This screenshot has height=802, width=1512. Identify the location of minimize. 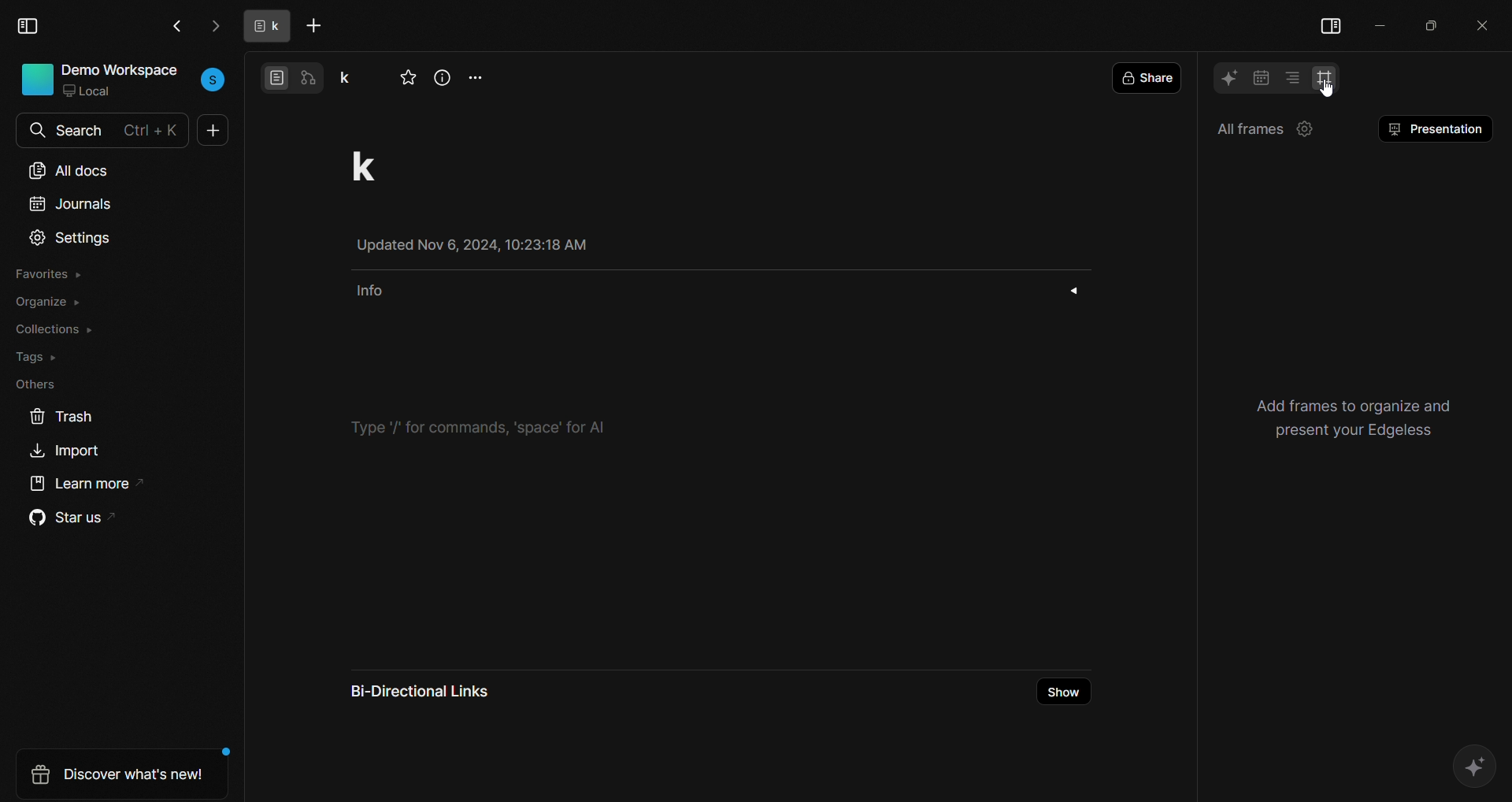
(1384, 24).